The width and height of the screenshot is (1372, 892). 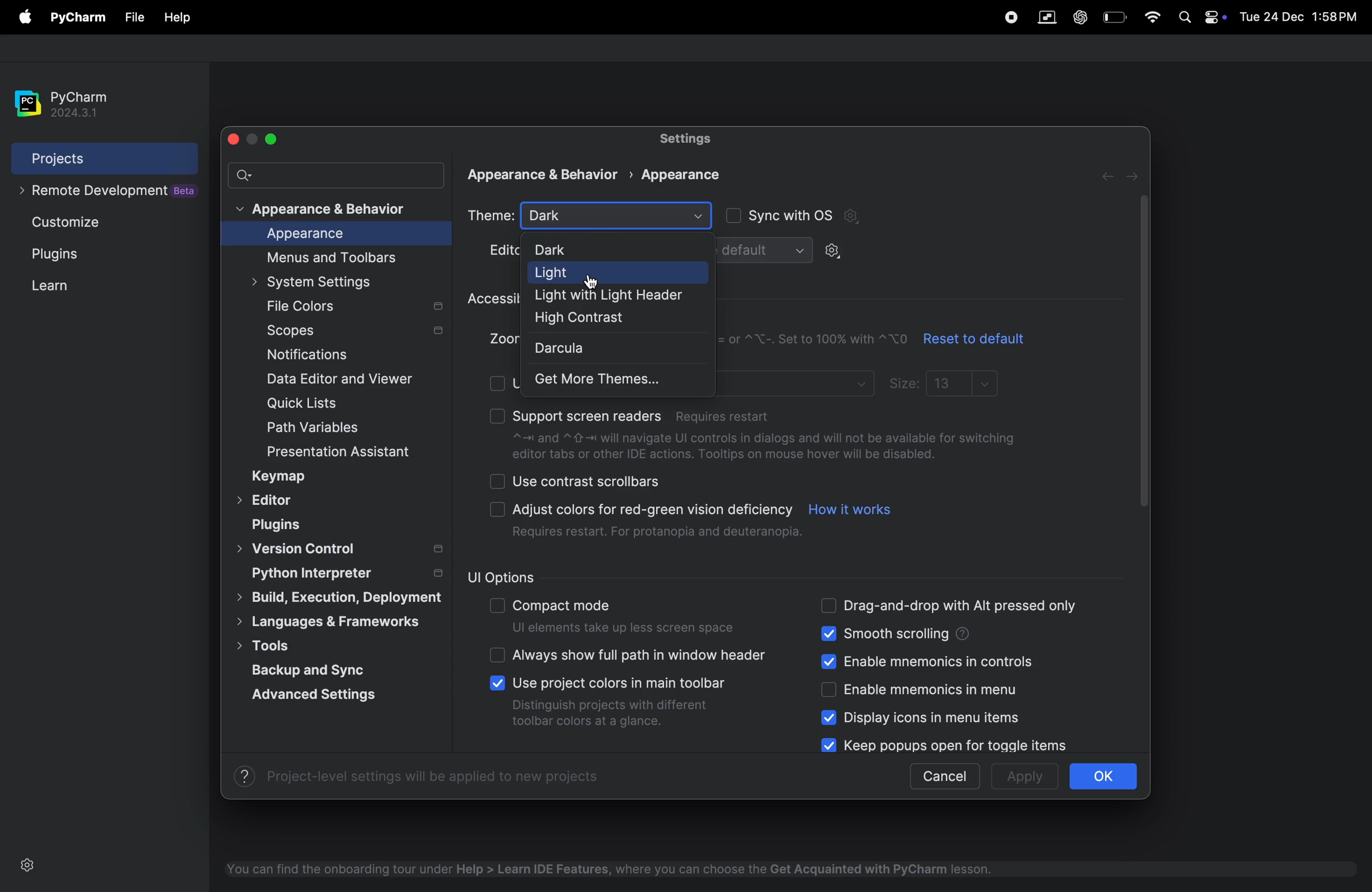 I want to click on Customize, so click(x=74, y=225).